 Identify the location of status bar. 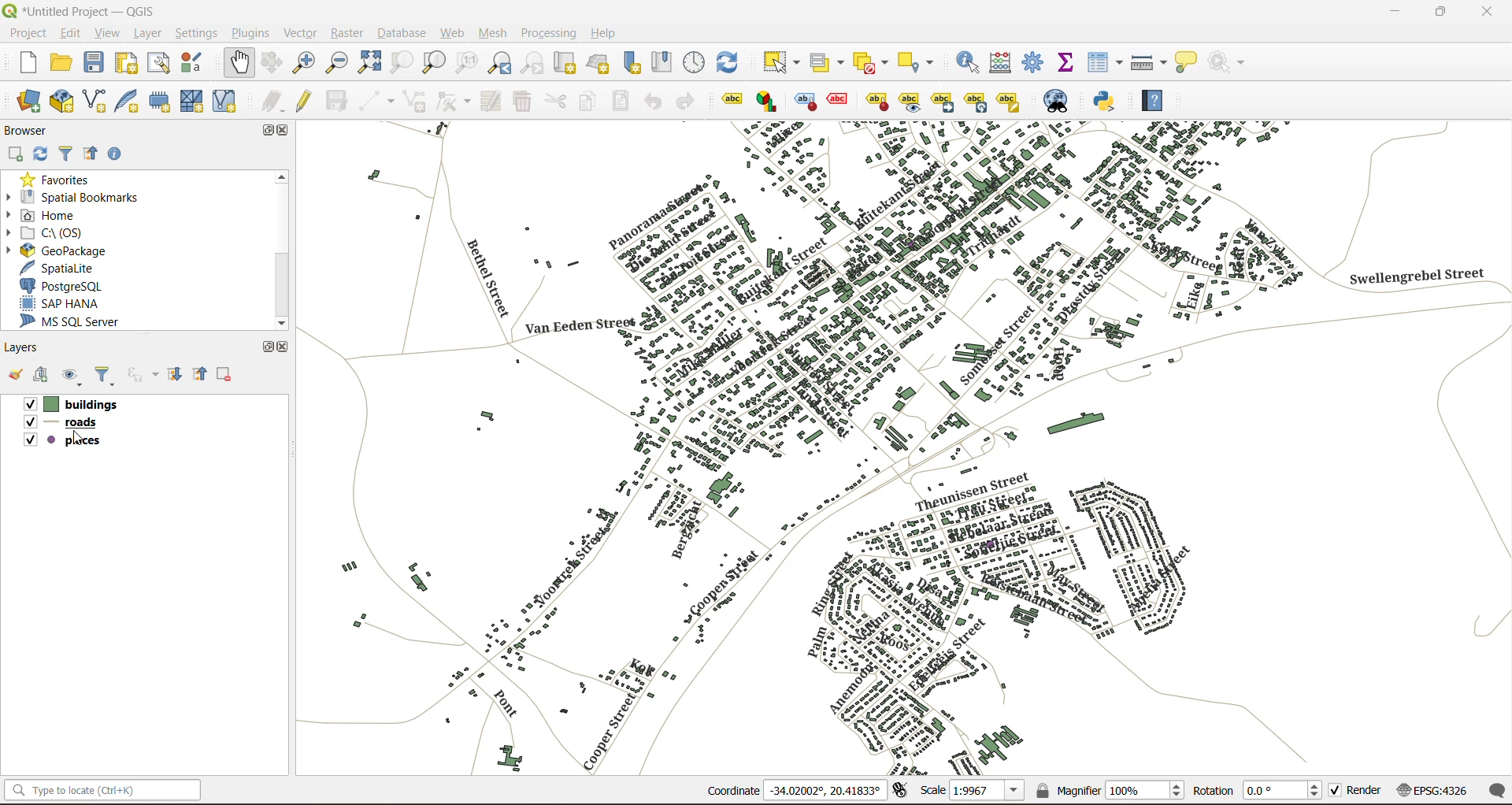
(105, 792).